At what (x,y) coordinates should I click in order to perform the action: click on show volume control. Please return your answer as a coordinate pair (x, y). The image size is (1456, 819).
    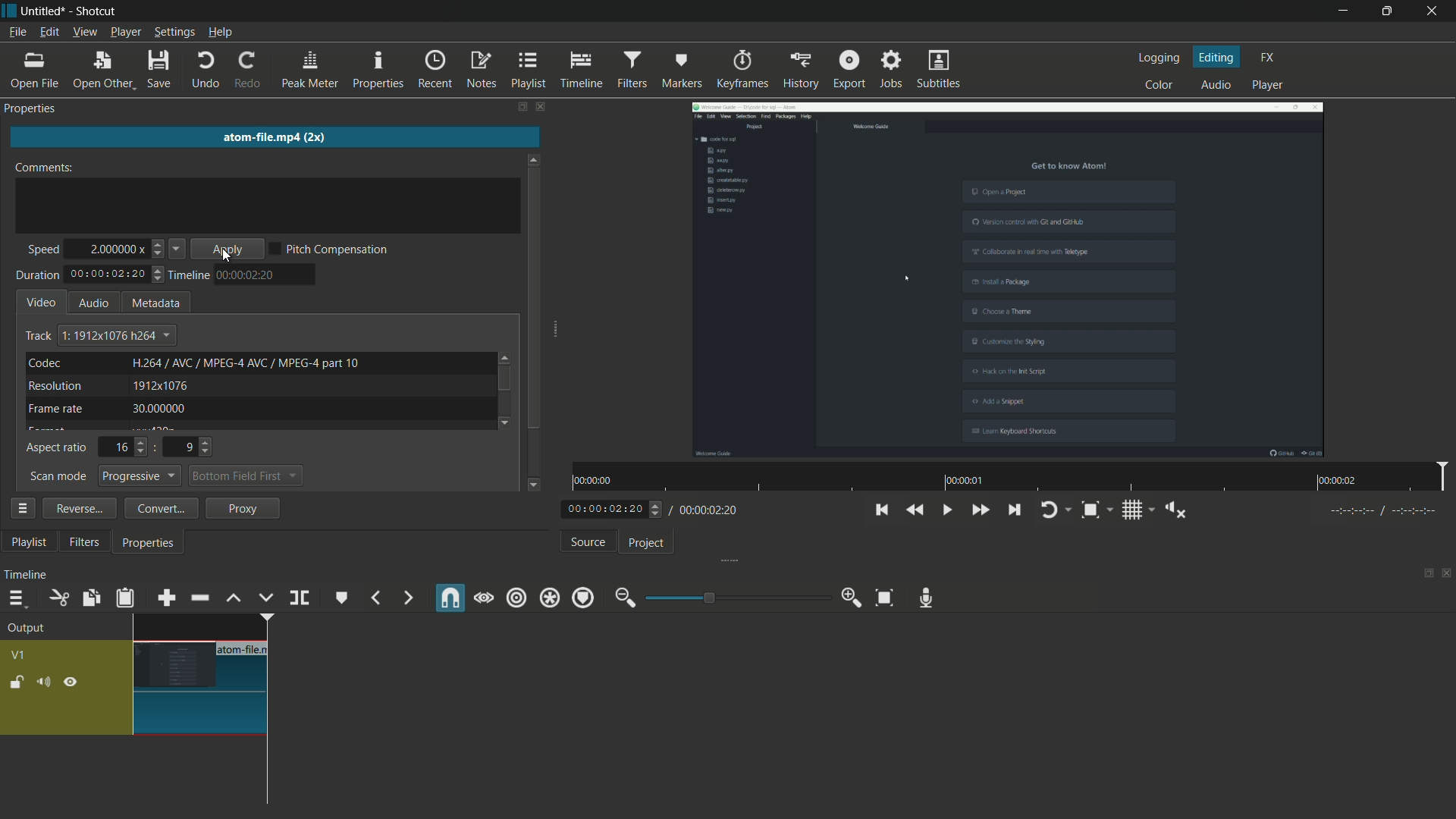
    Looking at the image, I should click on (1171, 510).